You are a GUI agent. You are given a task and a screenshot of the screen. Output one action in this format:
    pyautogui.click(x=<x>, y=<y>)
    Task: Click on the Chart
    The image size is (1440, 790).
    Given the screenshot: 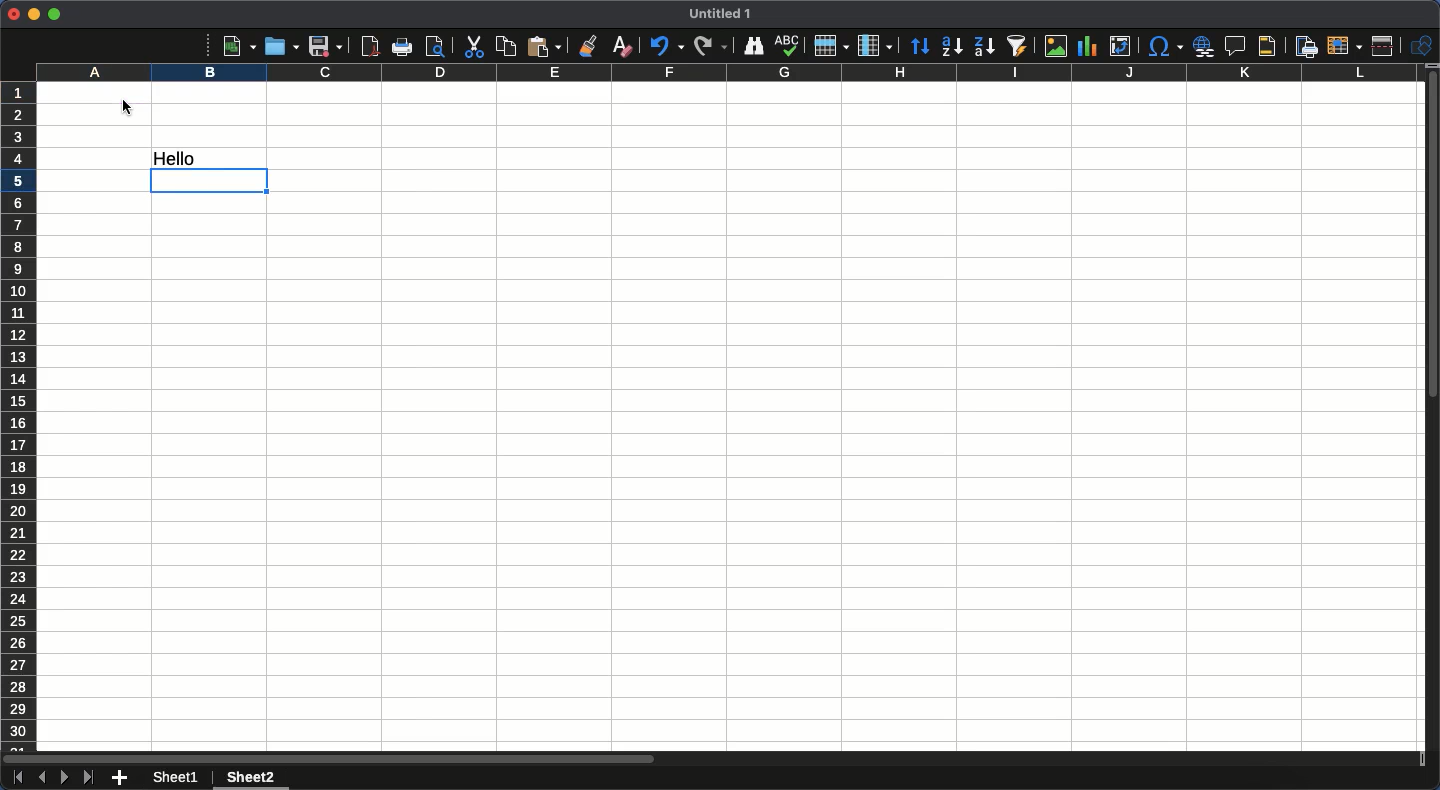 What is the action you would take?
    pyautogui.click(x=1085, y=48)
    